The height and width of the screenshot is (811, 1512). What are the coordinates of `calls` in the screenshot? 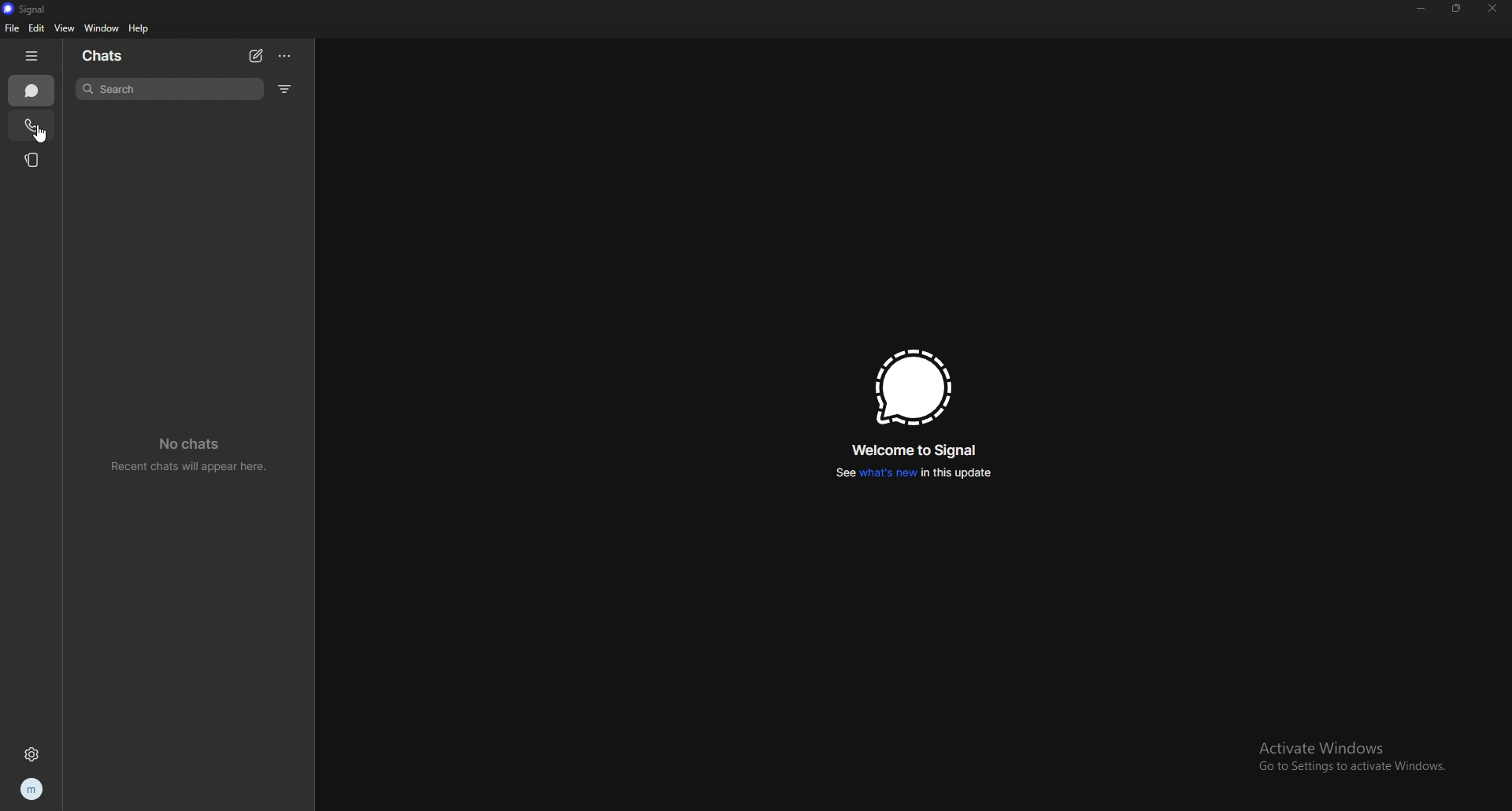 It's located at (31, 126).